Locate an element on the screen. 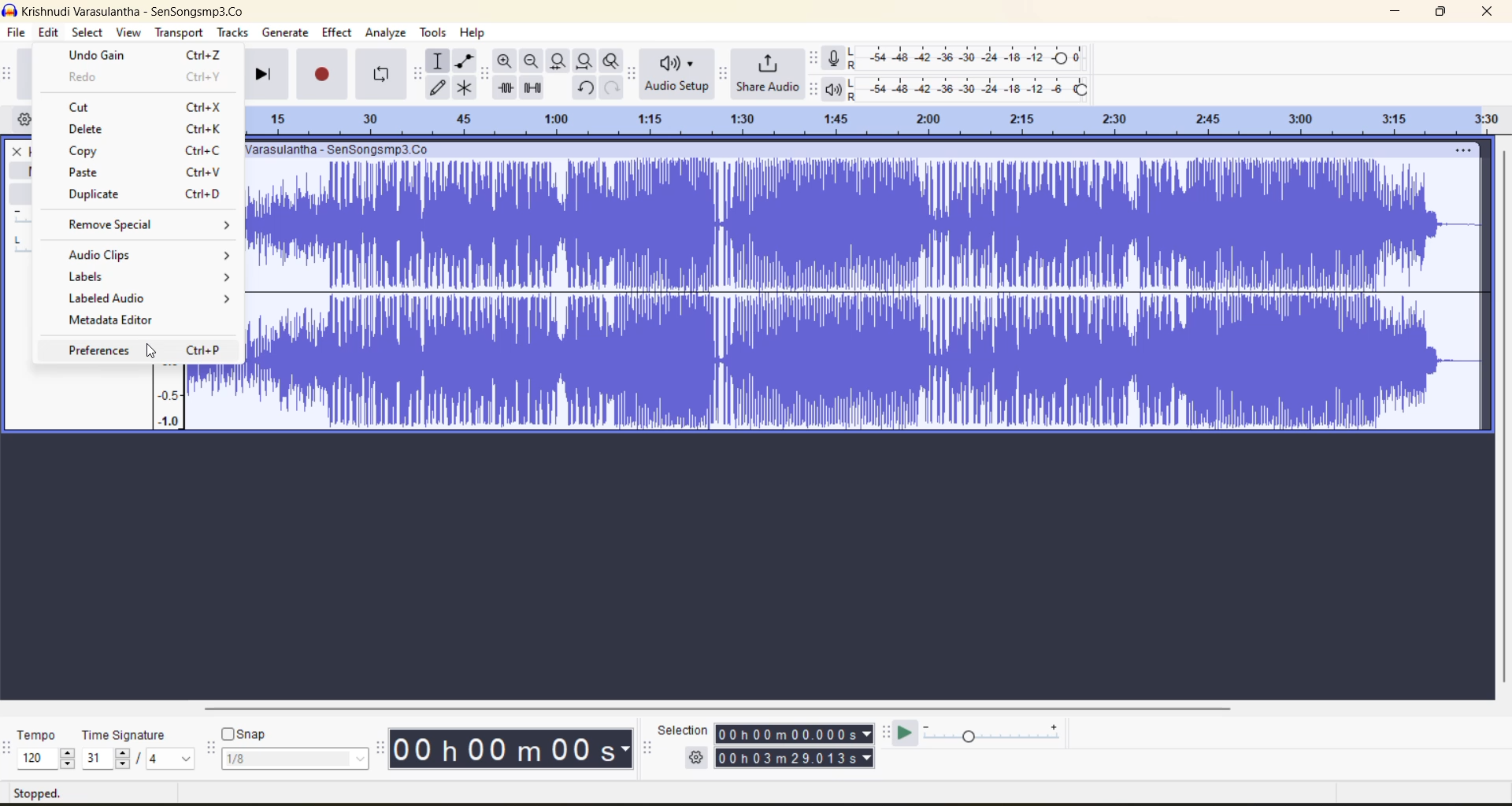  time toolbar is located at coordinates (381, 752).